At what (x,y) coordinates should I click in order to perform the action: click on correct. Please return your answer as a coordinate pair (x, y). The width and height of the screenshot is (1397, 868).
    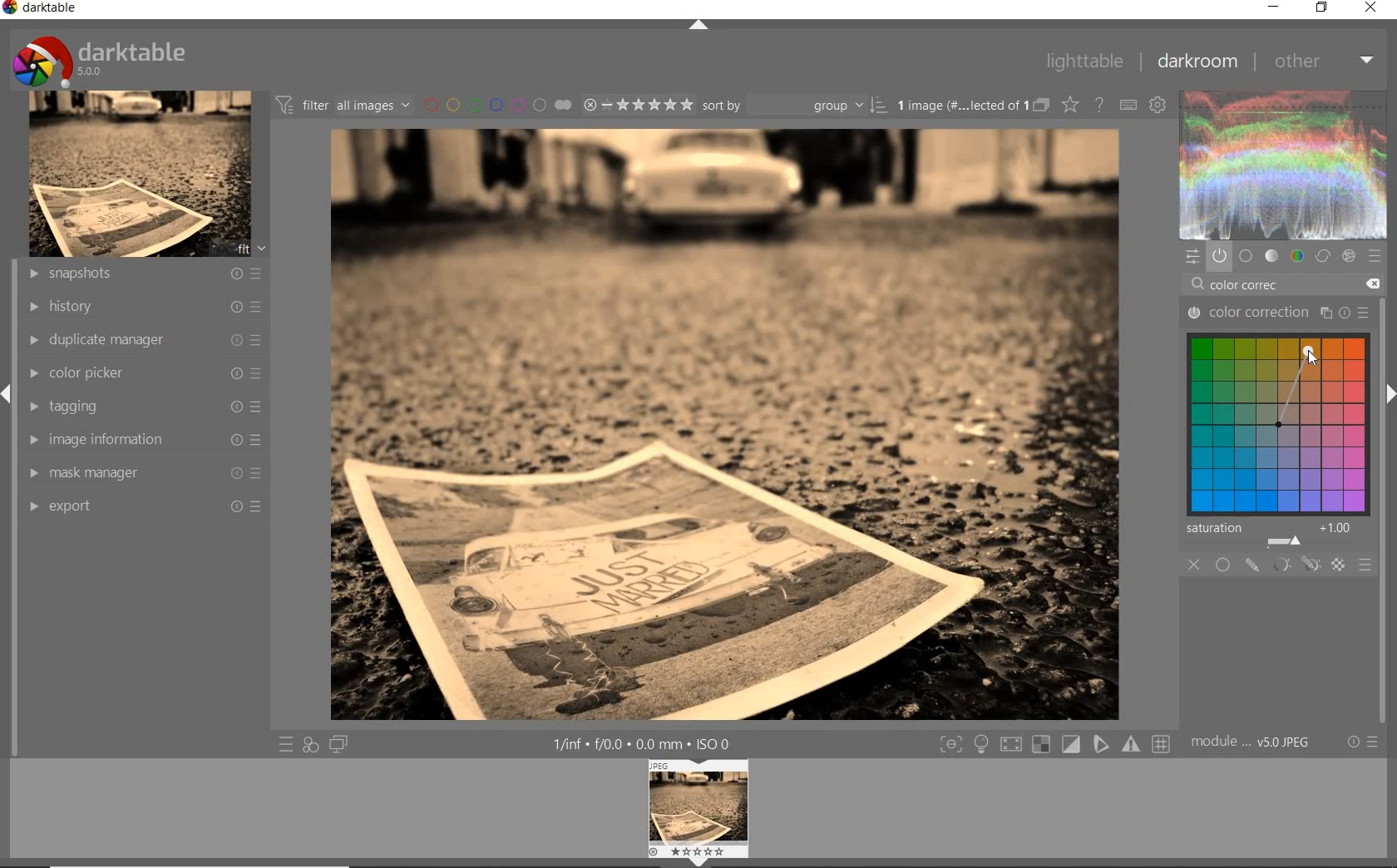
    Looking at the image, I should click on (1323, 256).